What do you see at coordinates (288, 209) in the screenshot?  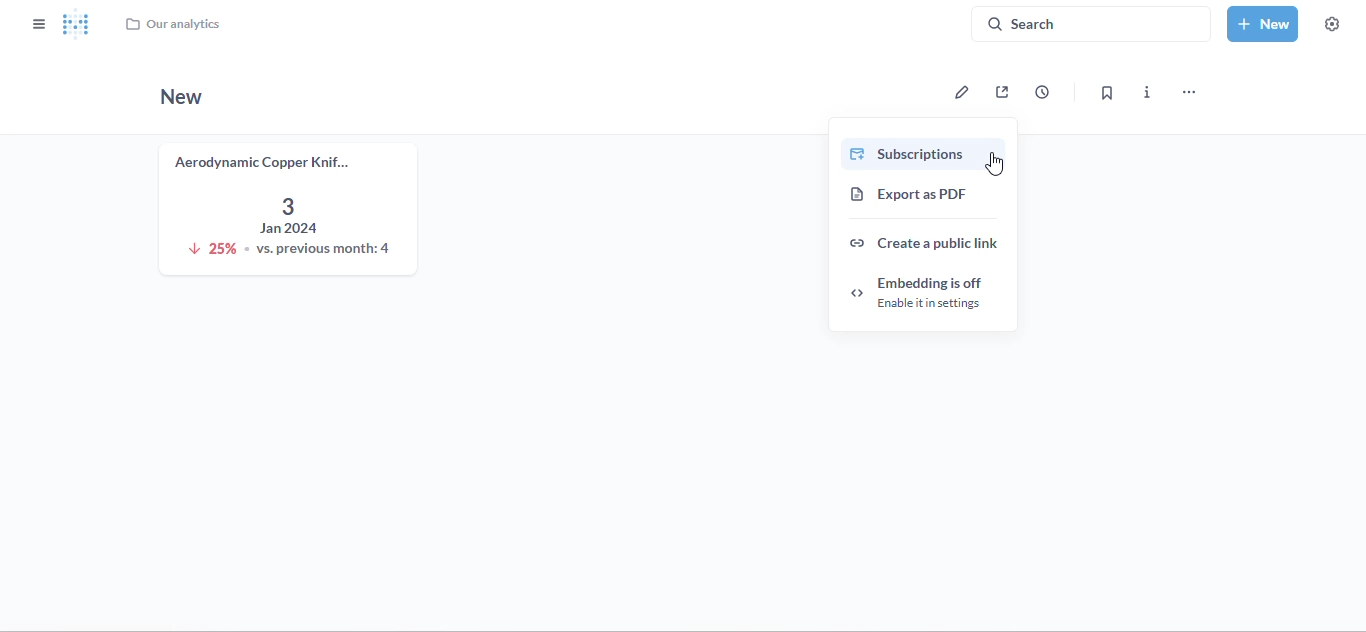 I see `aerodynamic copper knife trend` at bounding box center [288, 209].